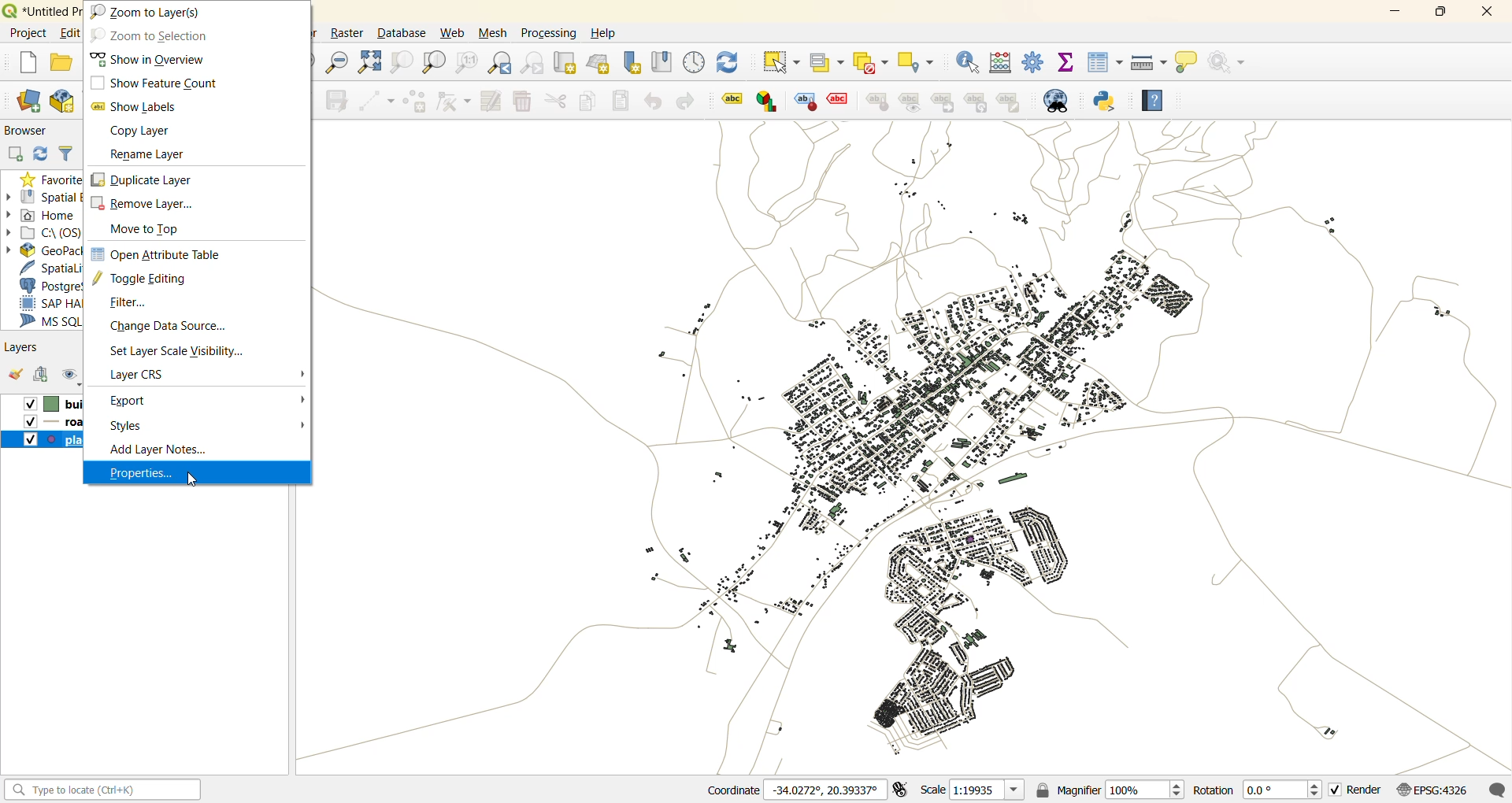 The image size is (1512, 803). What do you see at coordinates (1258, 789) in the screenshot?
I see `rotation` at bounding box center [1258, 789].